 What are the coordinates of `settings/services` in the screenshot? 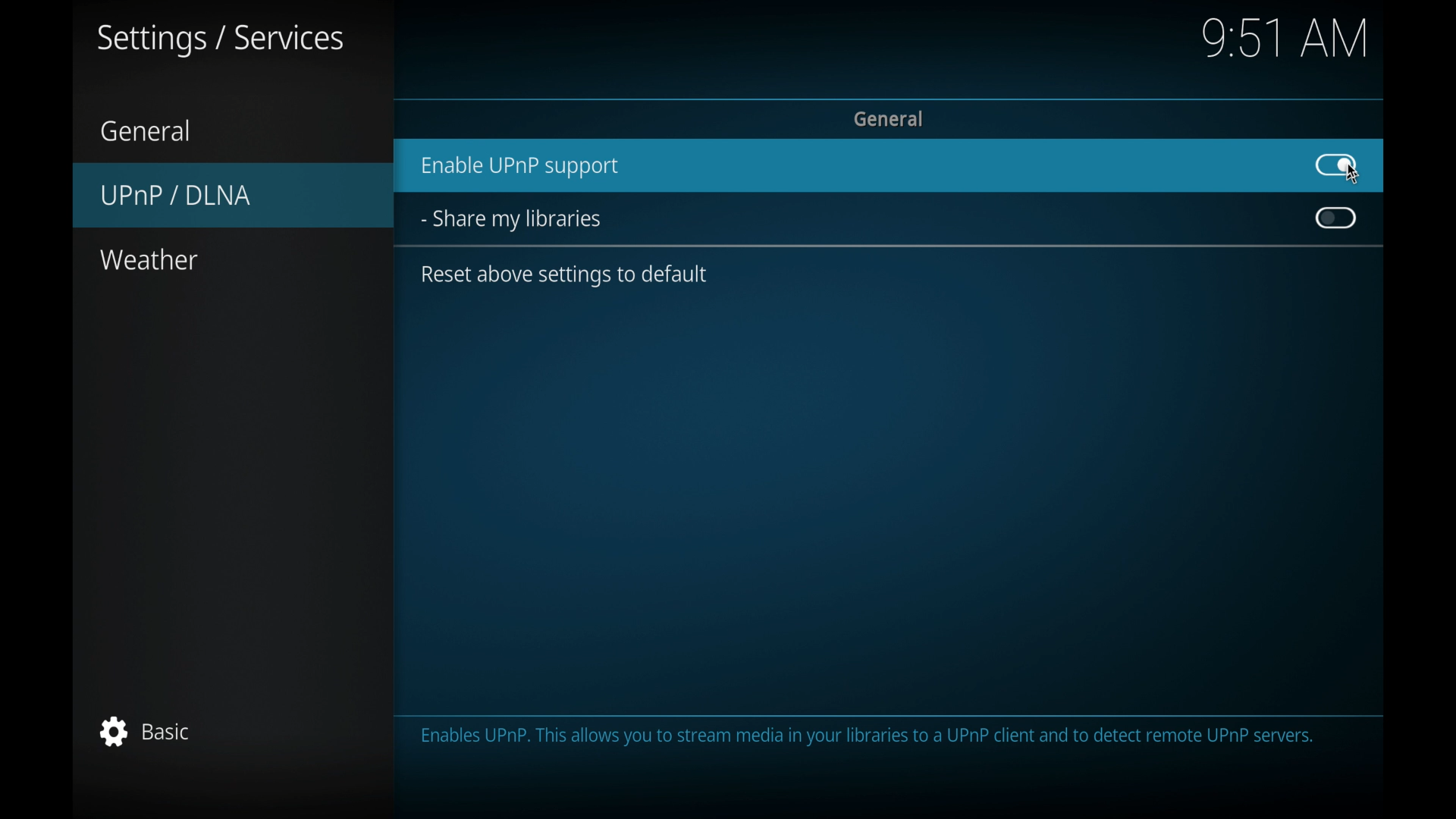 It's located at (222, 40).